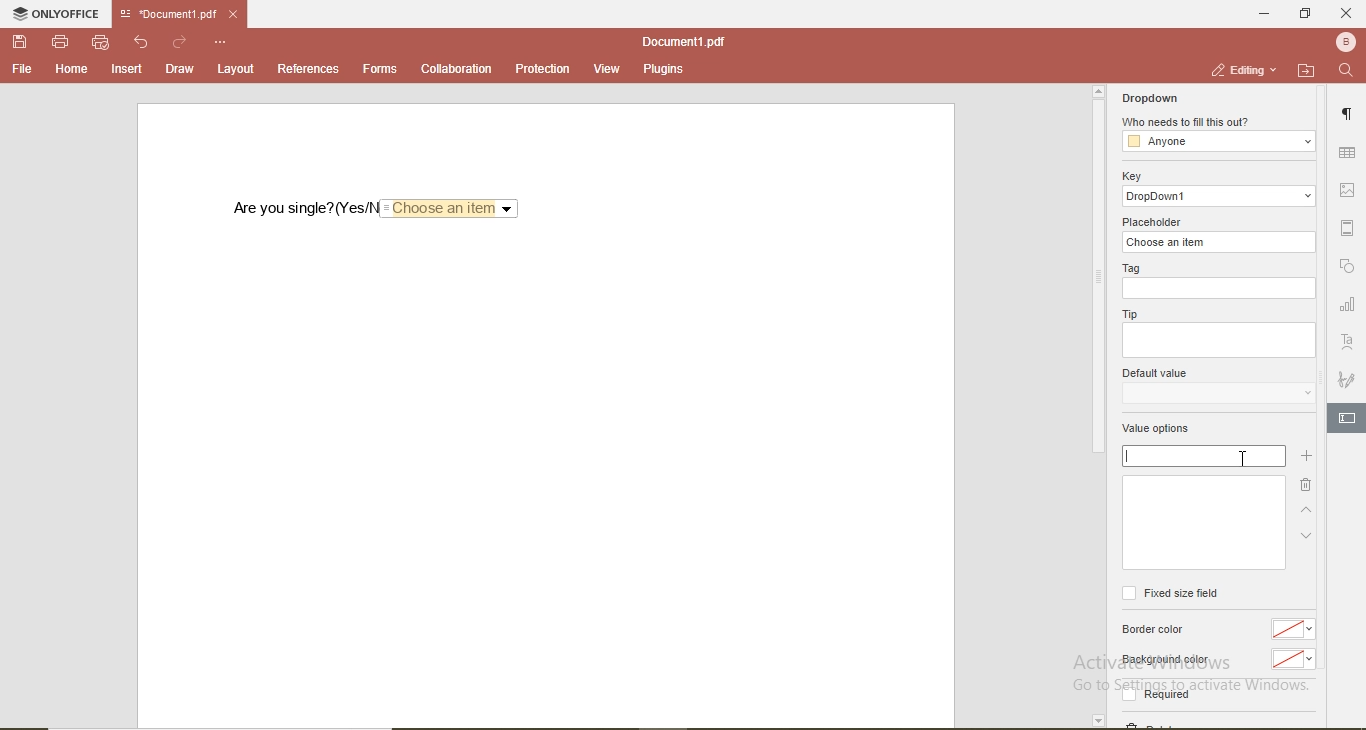 The image size is (1366, 730). I want to click on undo, so click(142, 43).